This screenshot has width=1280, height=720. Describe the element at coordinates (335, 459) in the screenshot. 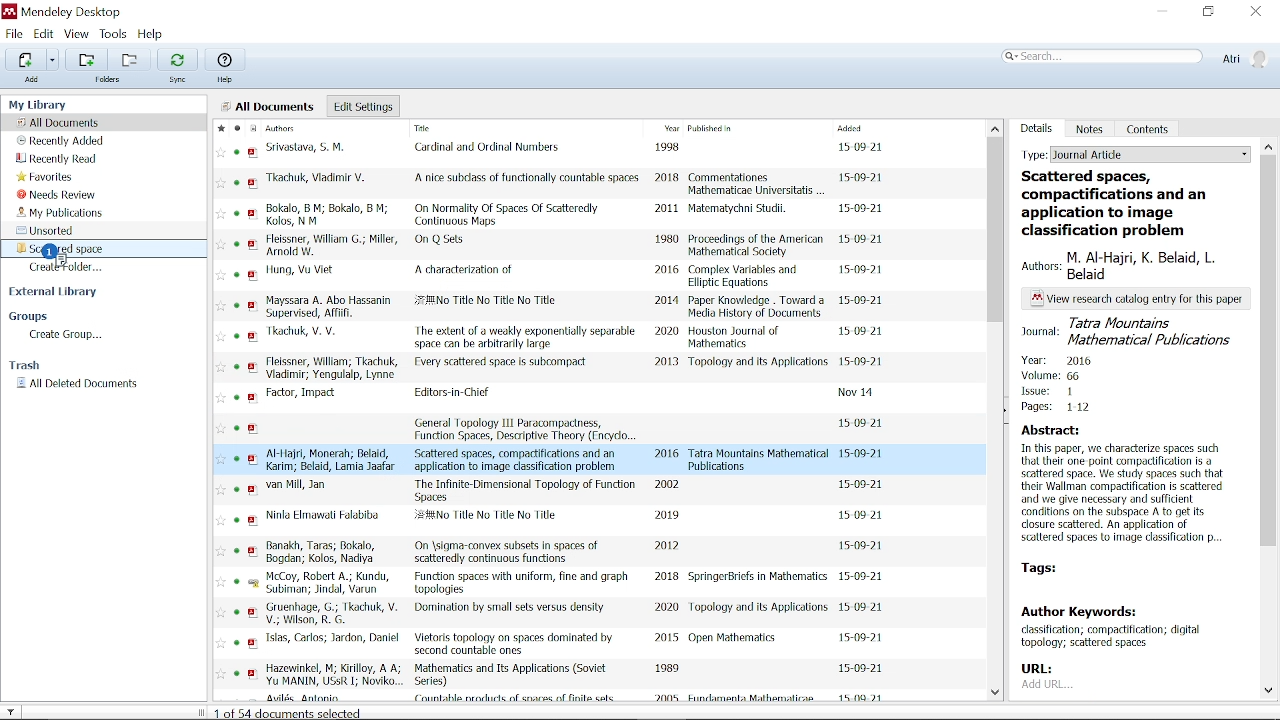

I see `authors` at that location.